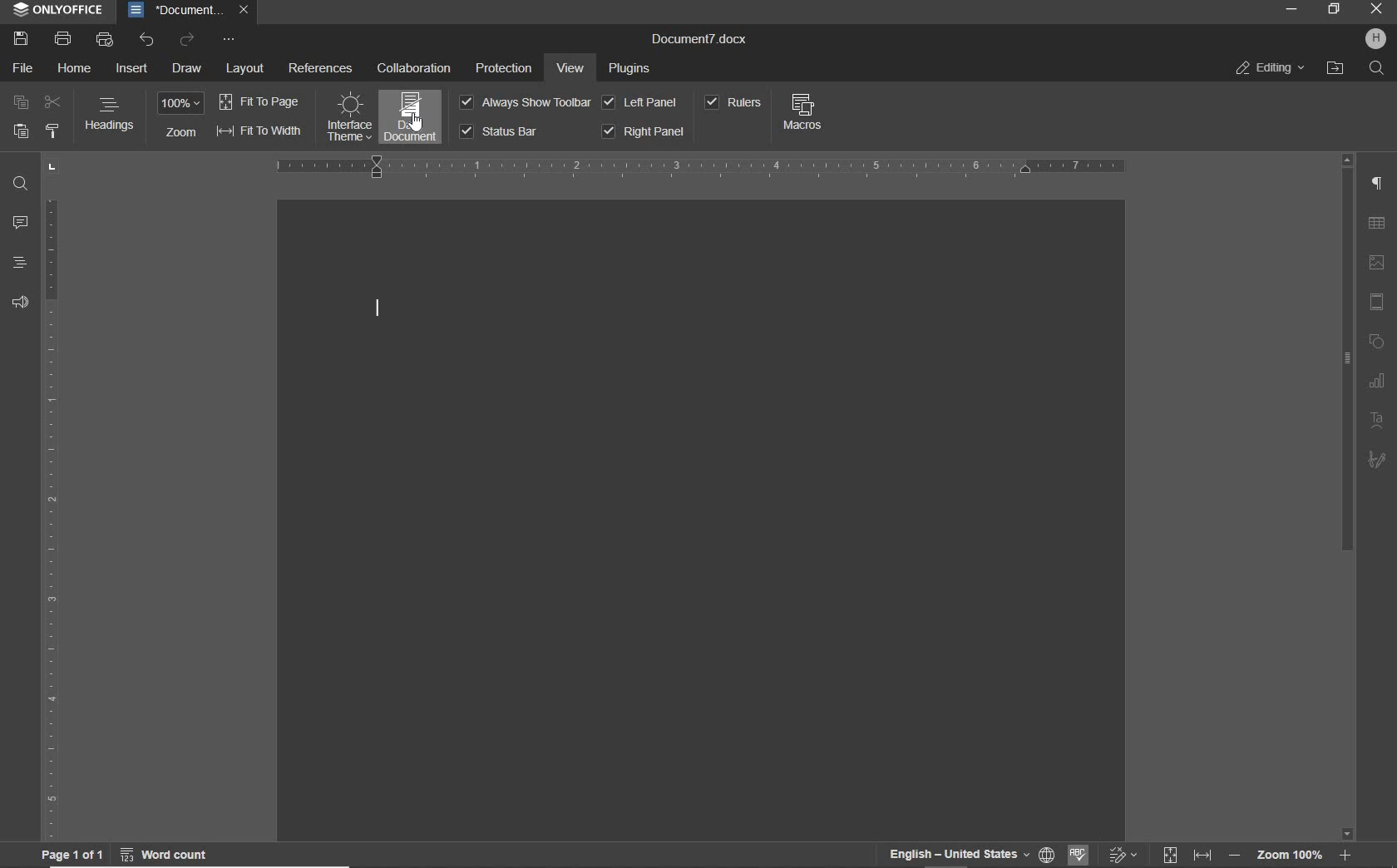 The image size is (1397, 868). Describe the element at coordinates (1268, 66) in the screenshot. I see `EDITING` at that location.